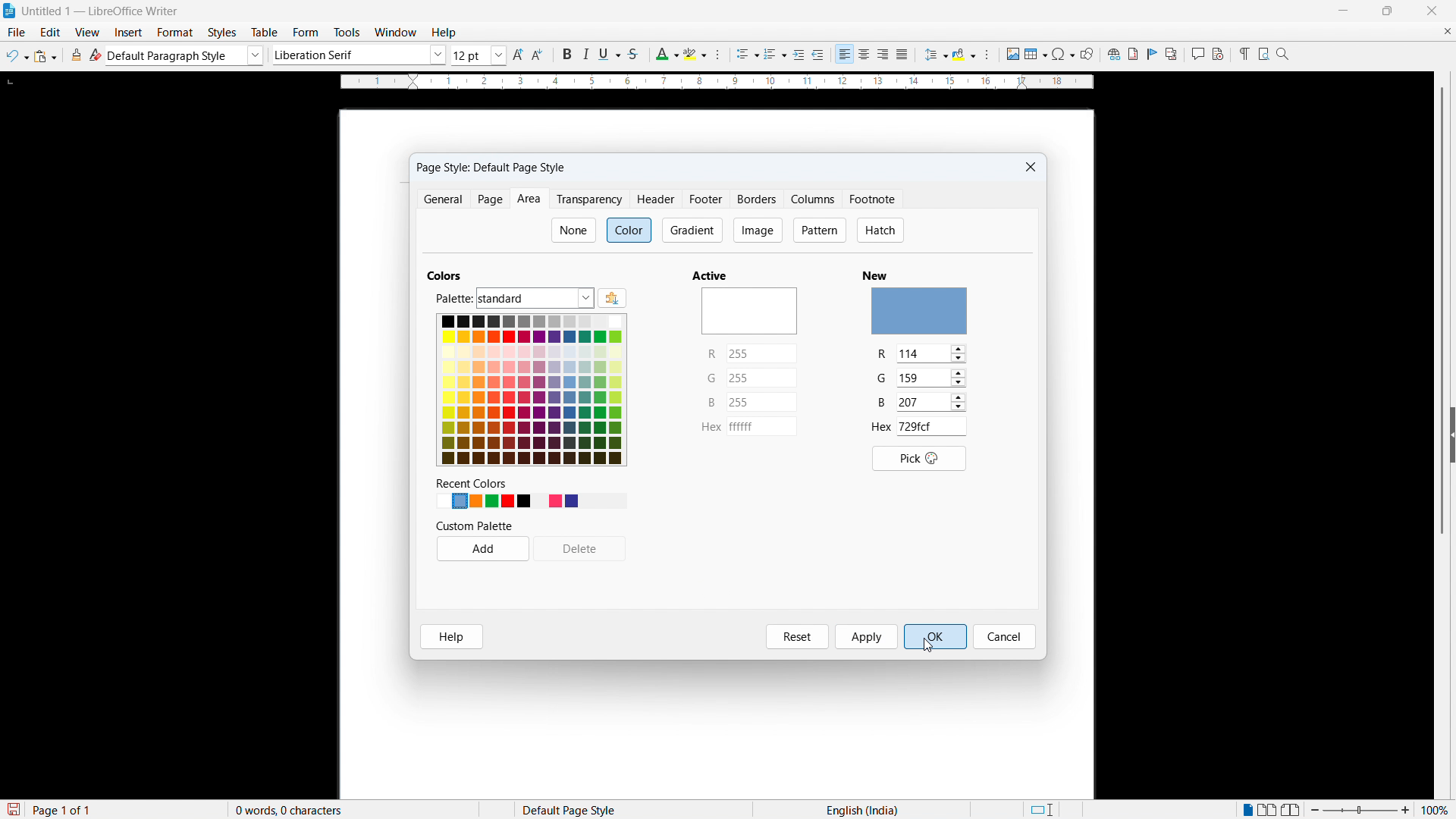 This screenshot has width=1456, height=819. I want to click on Insert numbered list , so click(775, 55).